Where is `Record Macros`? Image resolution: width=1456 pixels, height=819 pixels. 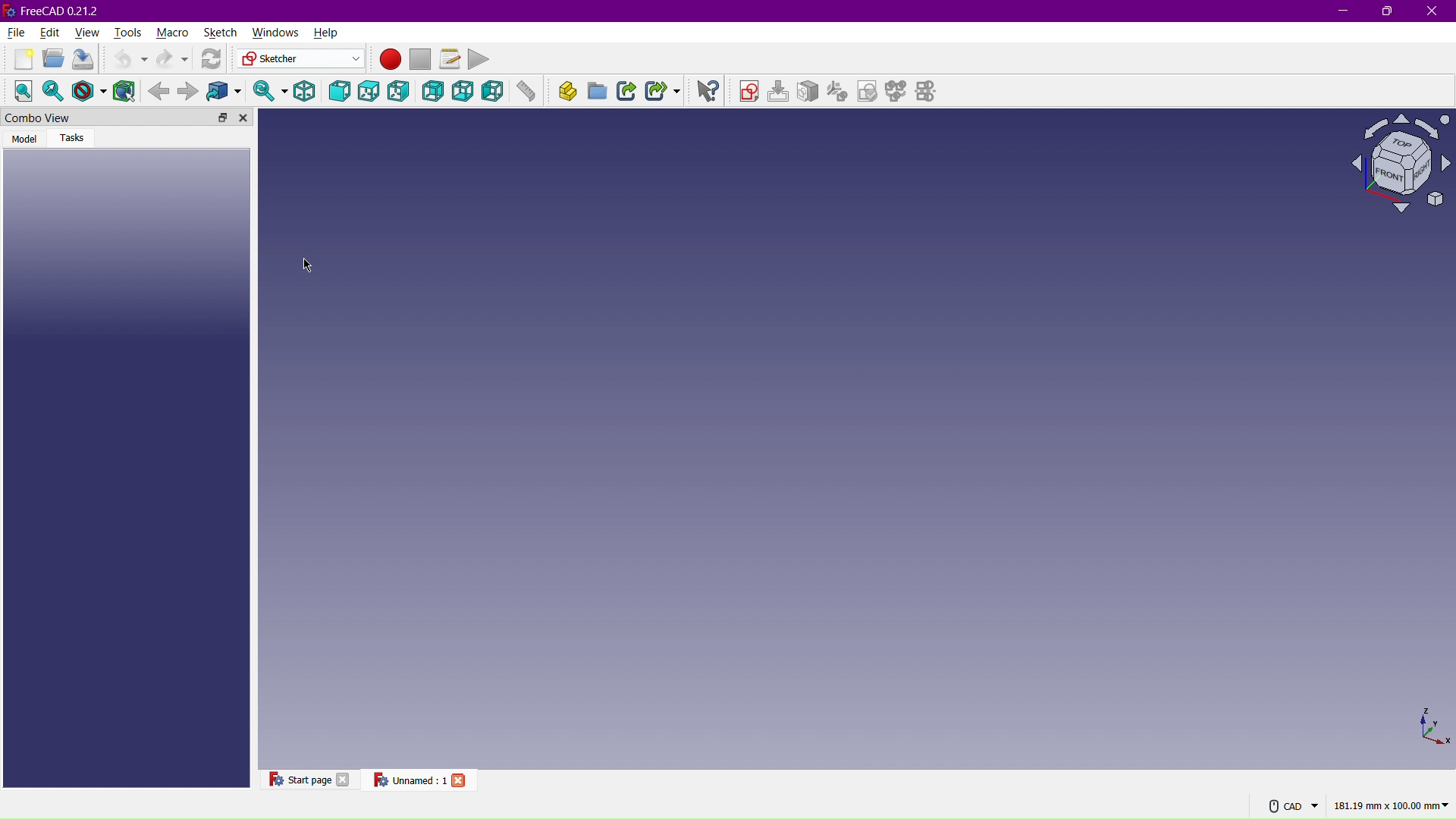
Record Macros is located at coordinates (390, 61).